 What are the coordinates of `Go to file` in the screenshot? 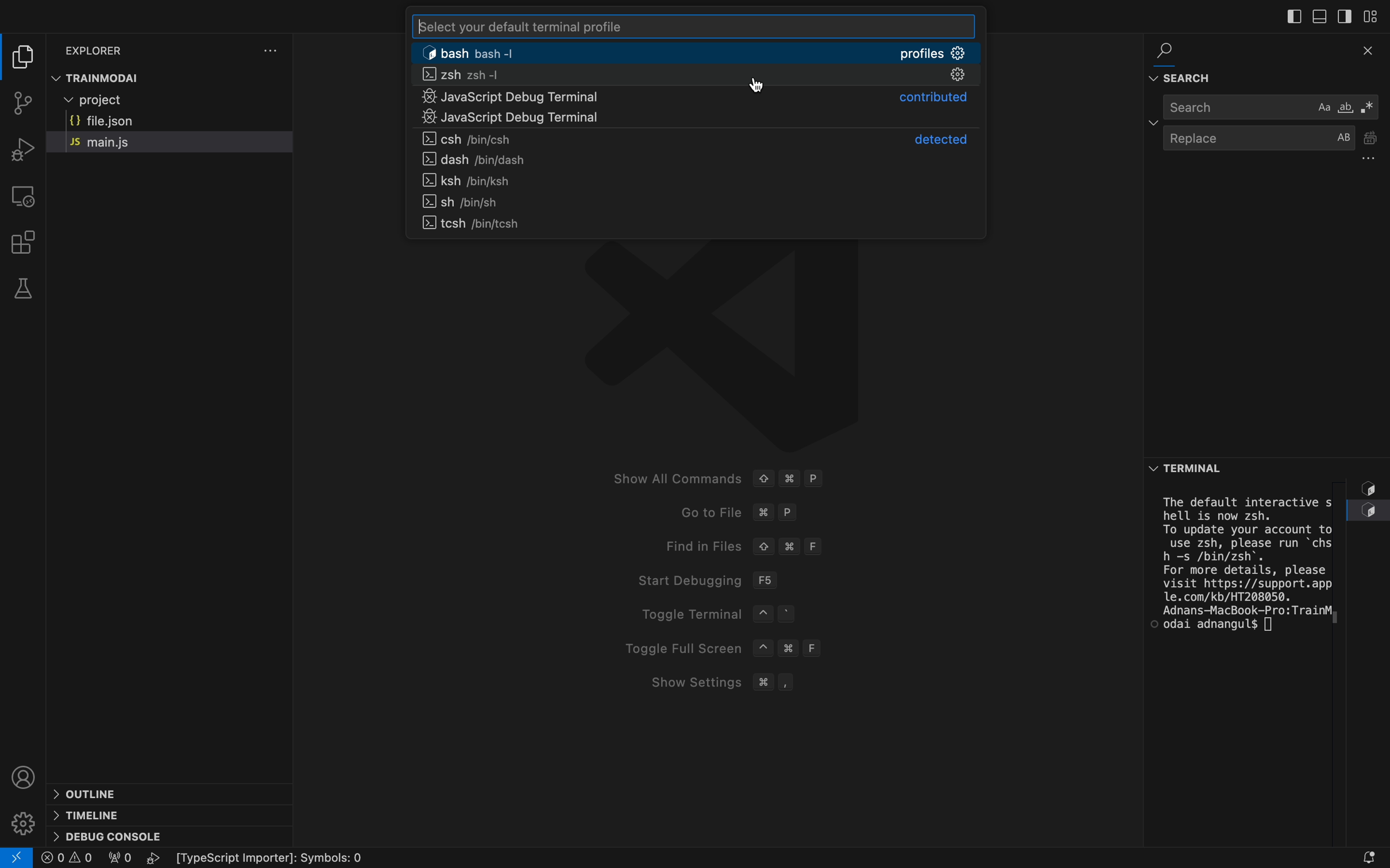 It's located at (797, 514).